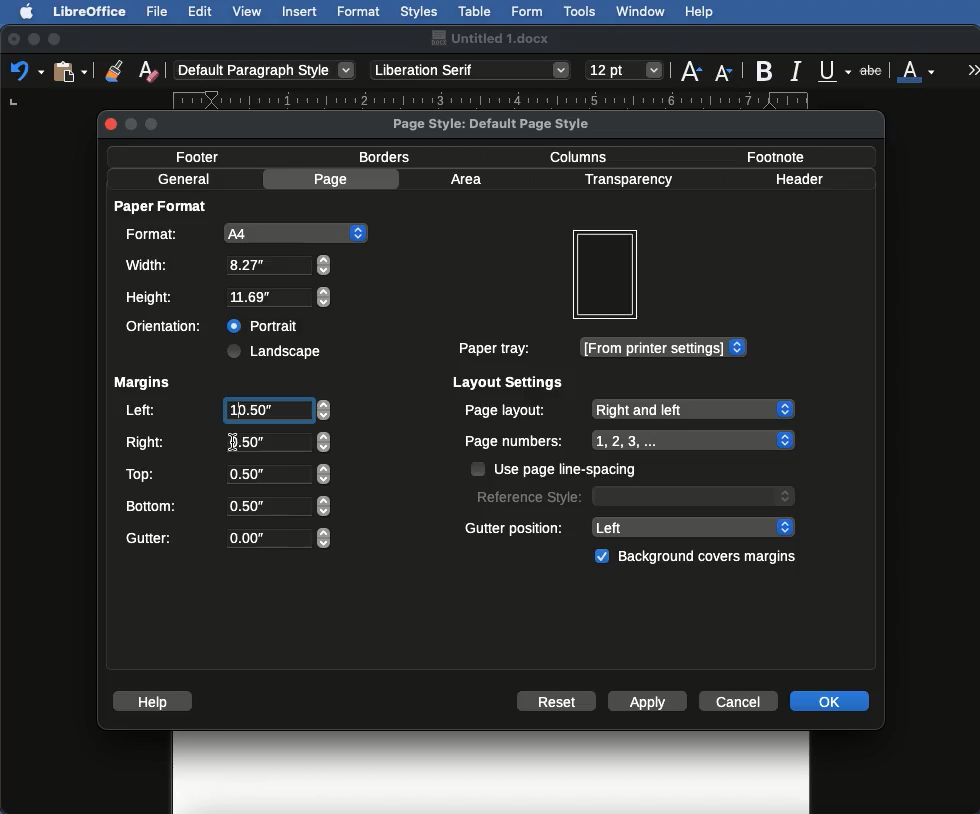  I want to click on A4, so click(243, 233).